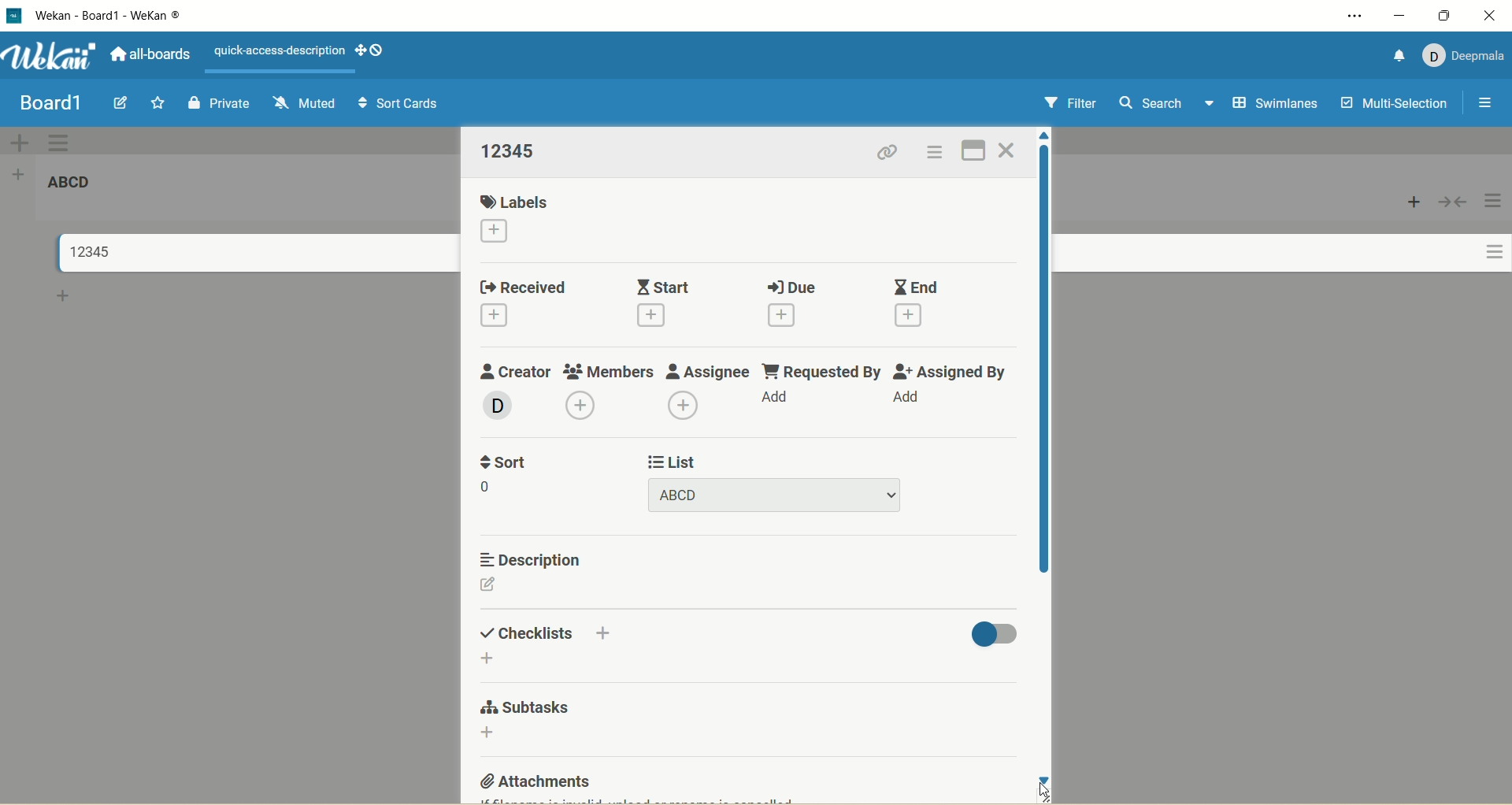 This screenshot has width=1512, height=805. I want to click on received, so click(524, 286).